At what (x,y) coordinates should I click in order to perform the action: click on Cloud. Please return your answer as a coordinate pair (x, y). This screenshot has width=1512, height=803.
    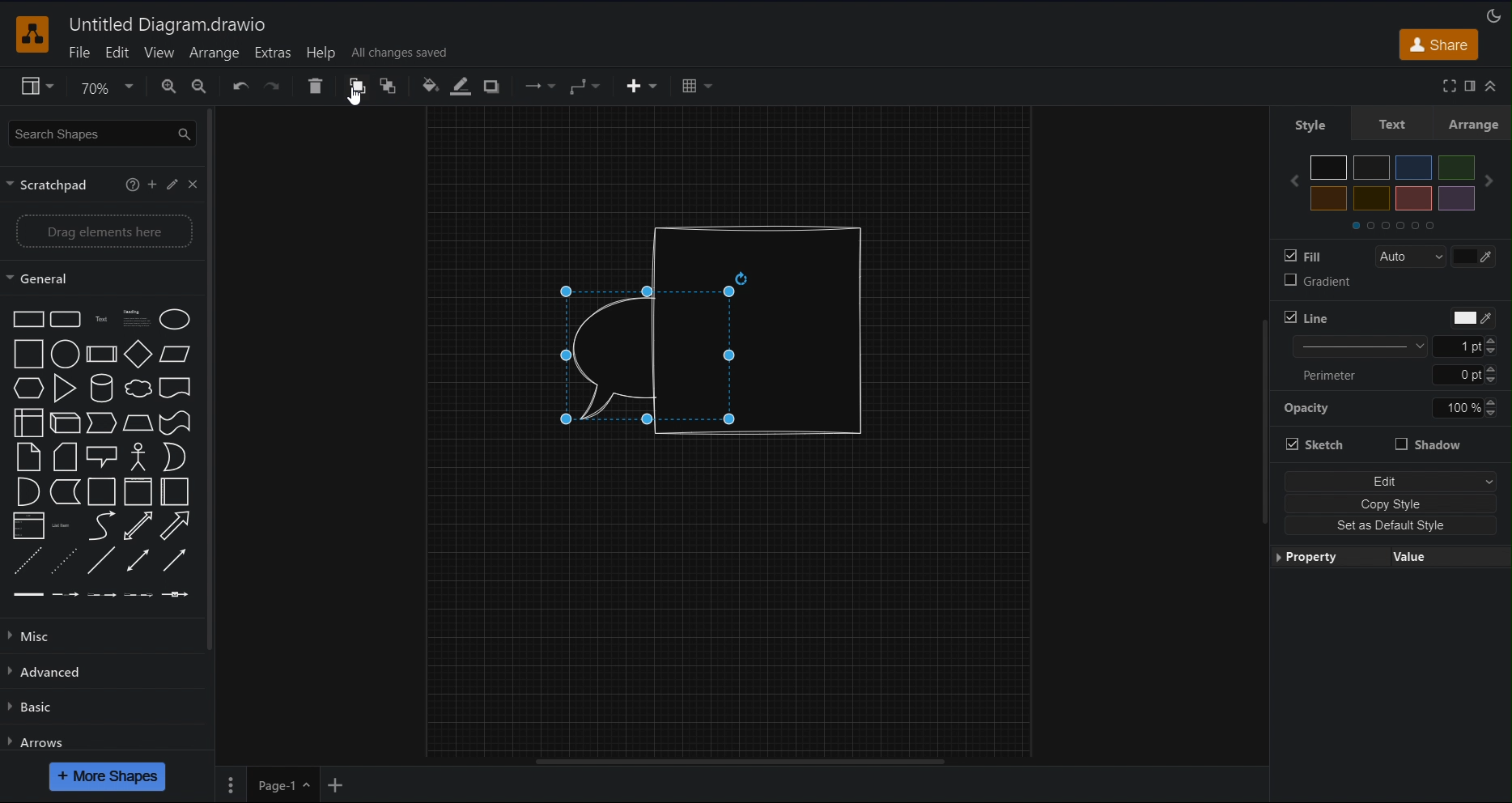
    Looking at the image, I should click on (138, 389).